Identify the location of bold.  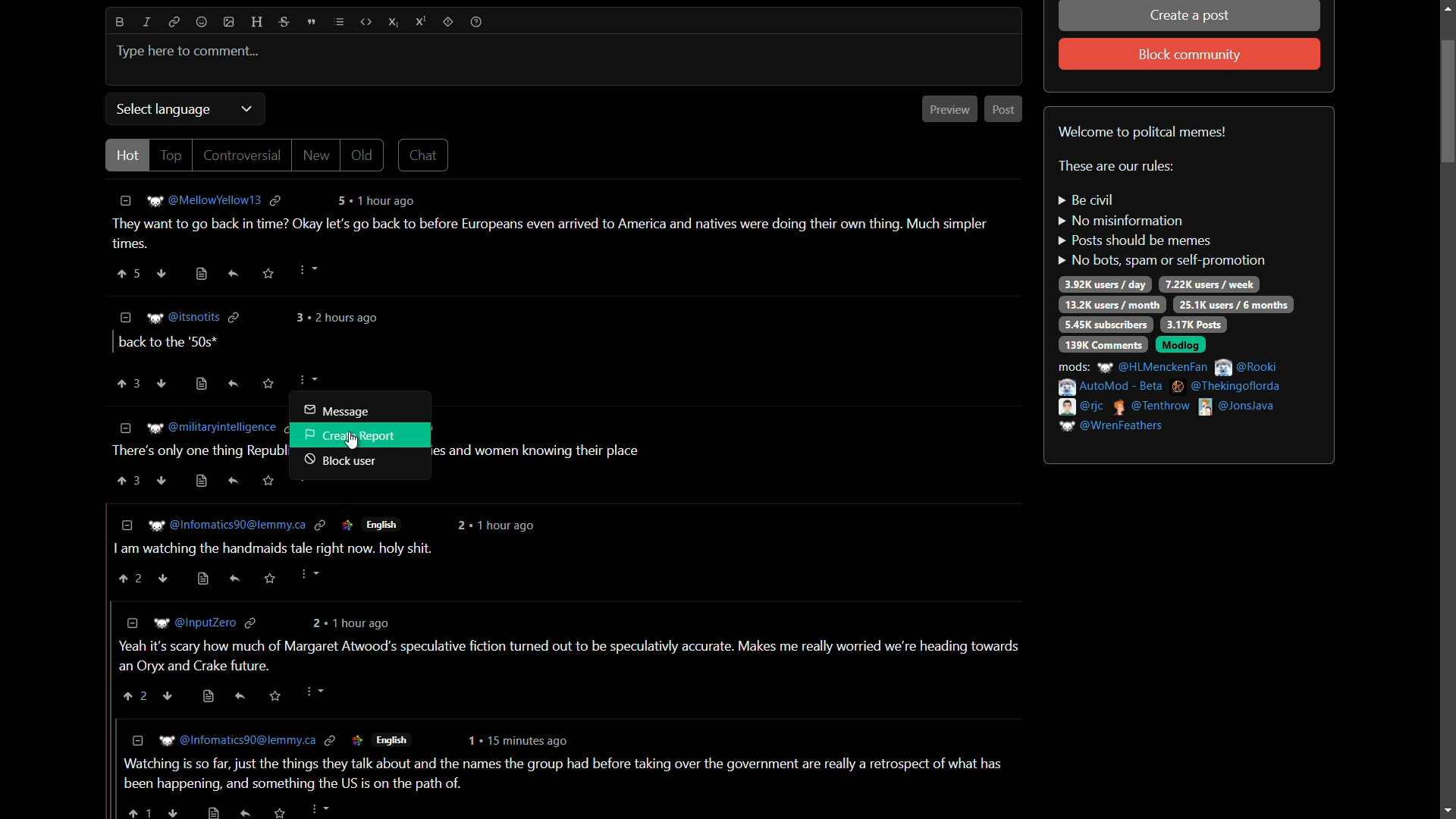
(120, 22).